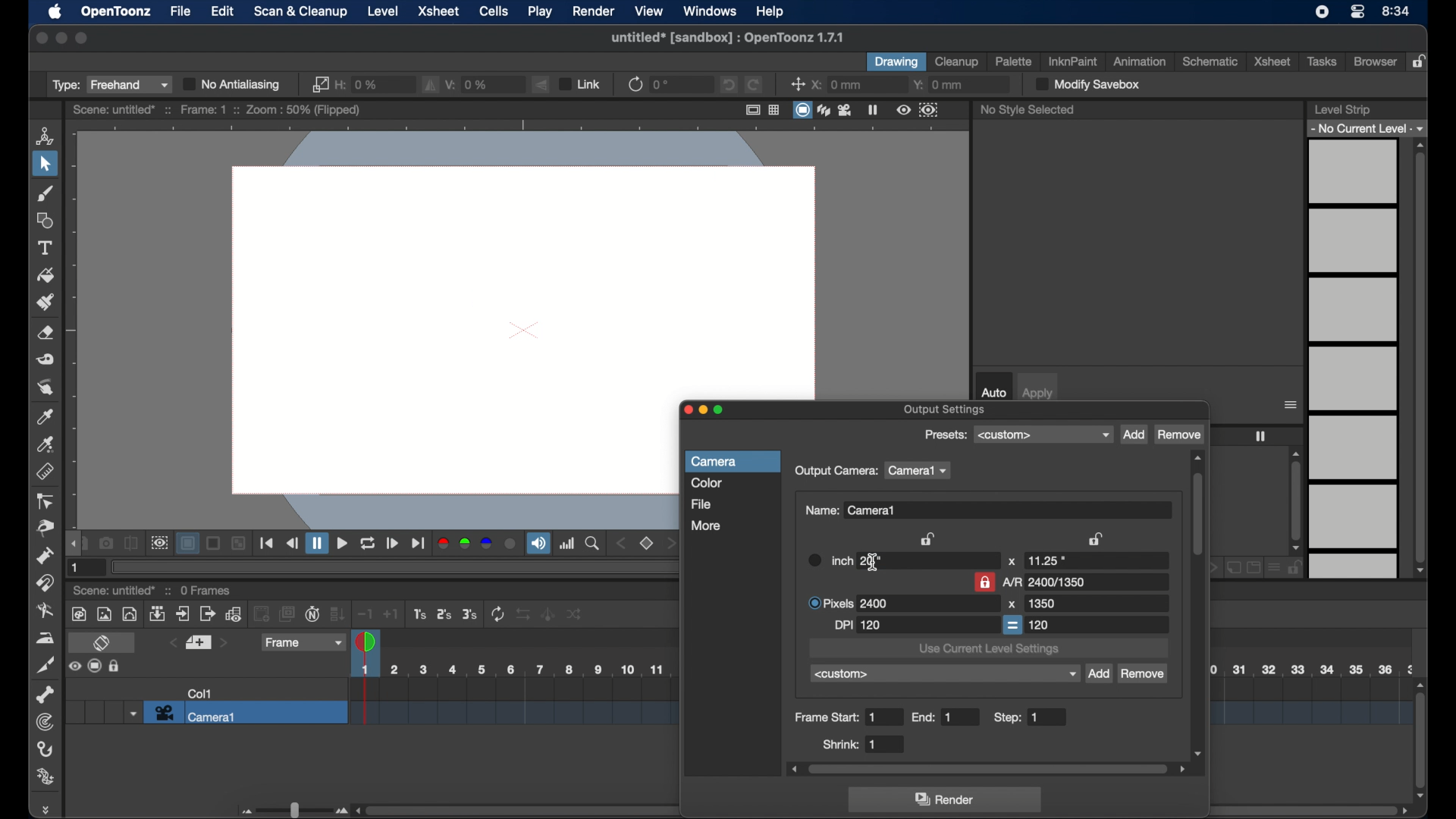 The width and height of the screenshot is (1456, 819). What do you see at coordinates (46, 777) in the screenshot?
I see `plastic tool` at bounding box center [46, 777].